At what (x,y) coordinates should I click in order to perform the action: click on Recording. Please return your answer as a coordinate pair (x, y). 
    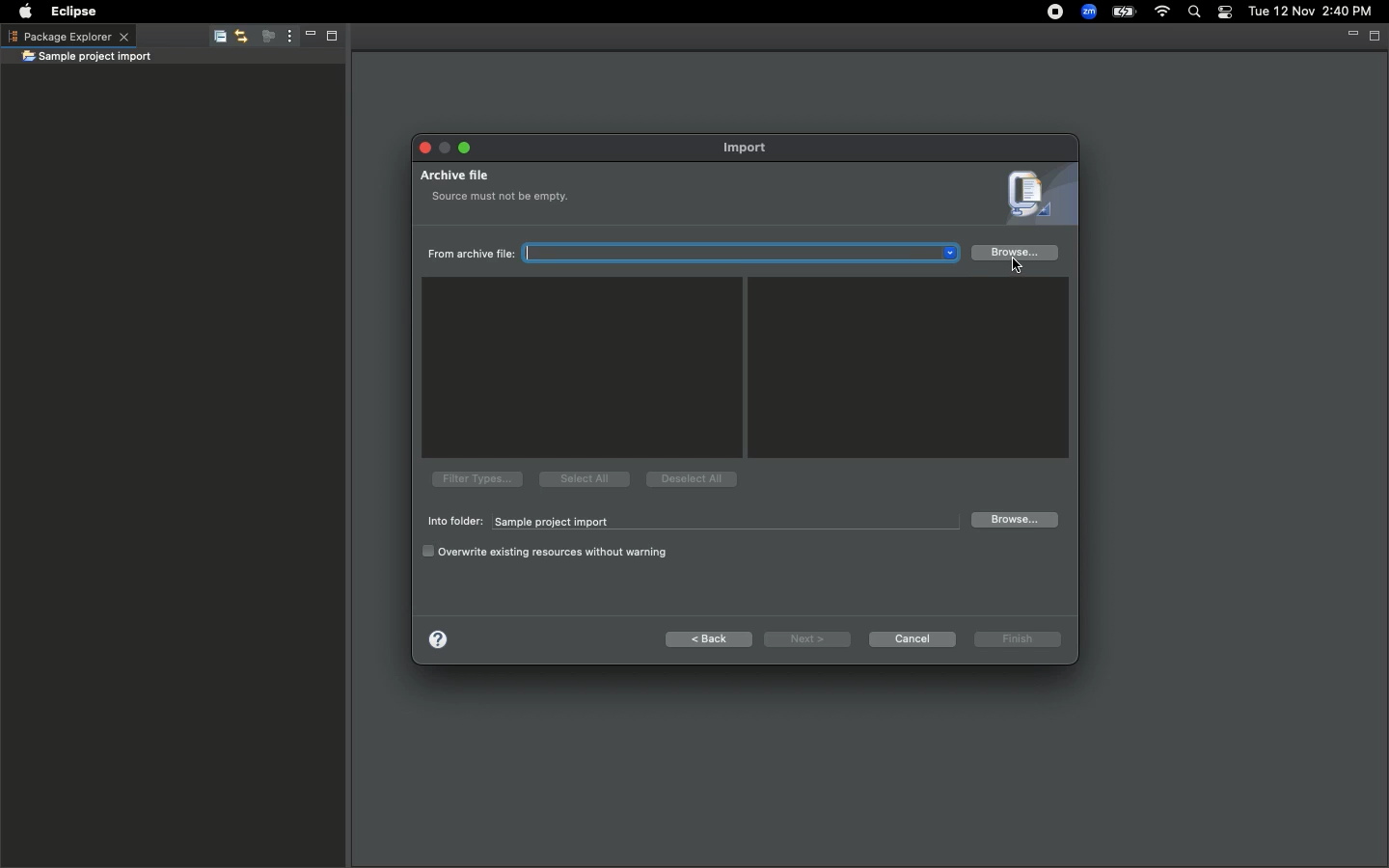
    Looking at the image, I should click on (1047, 14).